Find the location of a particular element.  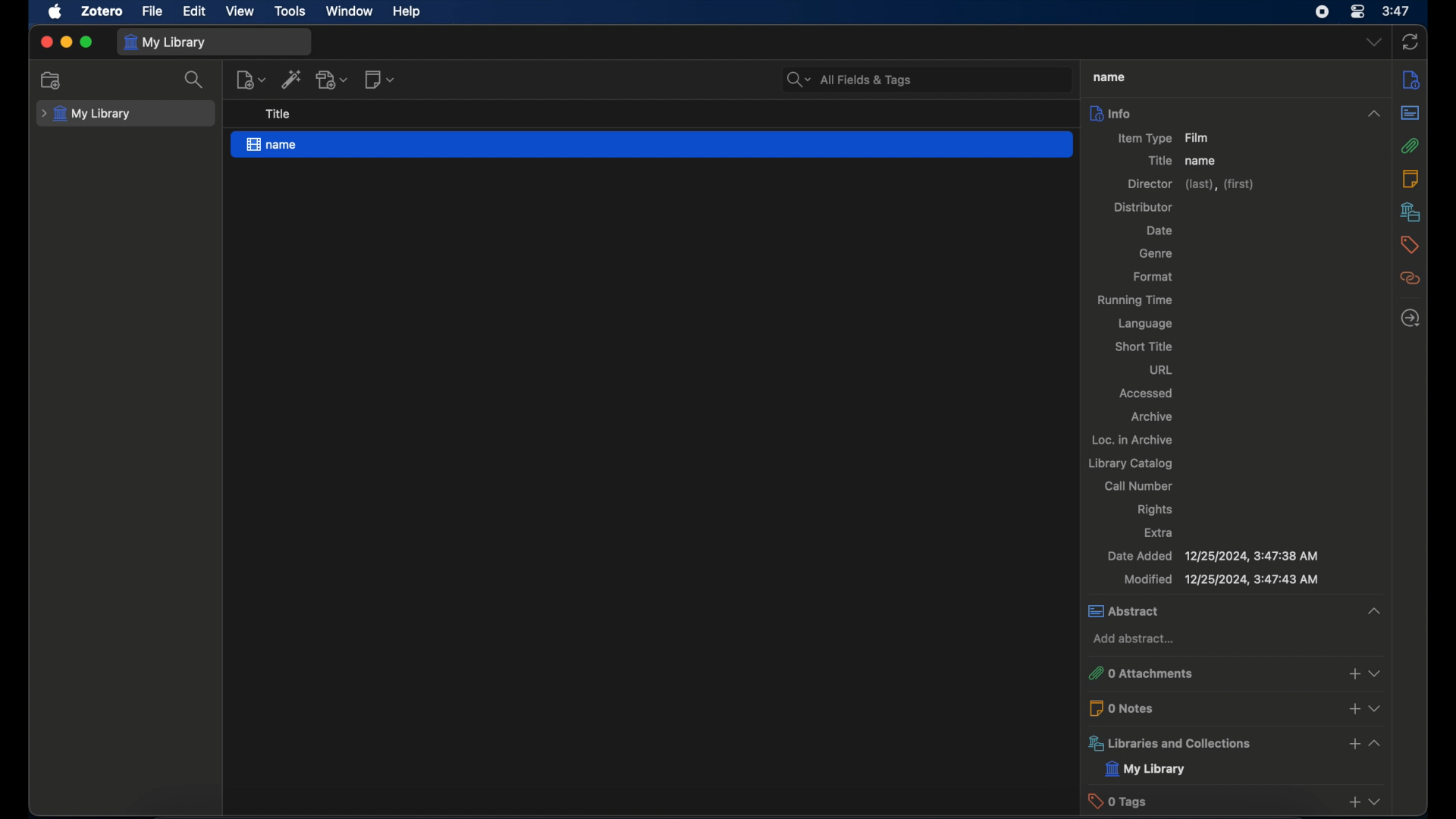

accessed is located at coordinates (1146, 394).